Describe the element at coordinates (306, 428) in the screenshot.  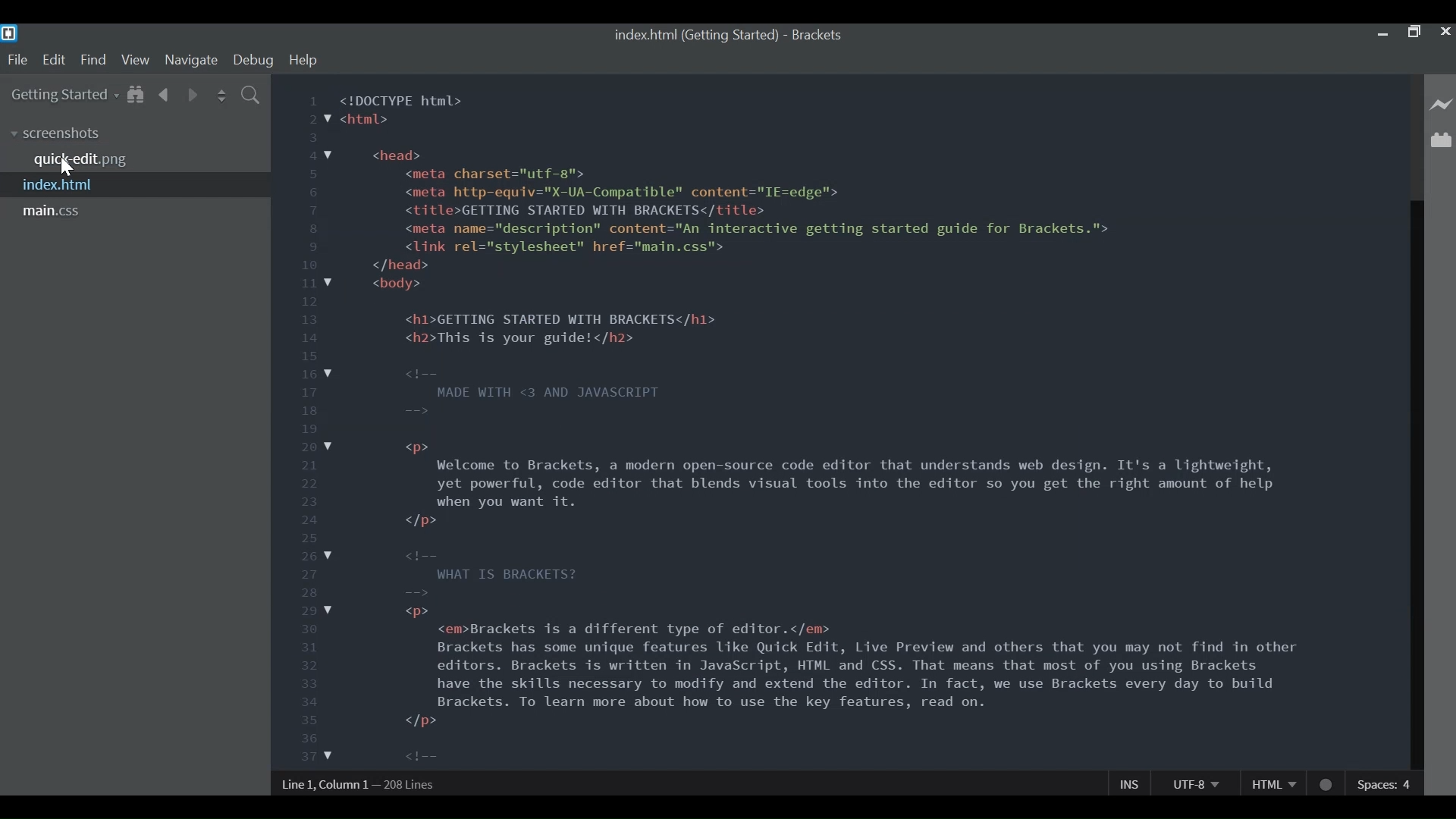
I see `1 2 3 4 5 6 7 8 9 10 11 12 13 14 15 16 17 18 19 20 21 22 23 24 25 26 27 28 29 30 31 32 33 34 35 36 37` at that location.